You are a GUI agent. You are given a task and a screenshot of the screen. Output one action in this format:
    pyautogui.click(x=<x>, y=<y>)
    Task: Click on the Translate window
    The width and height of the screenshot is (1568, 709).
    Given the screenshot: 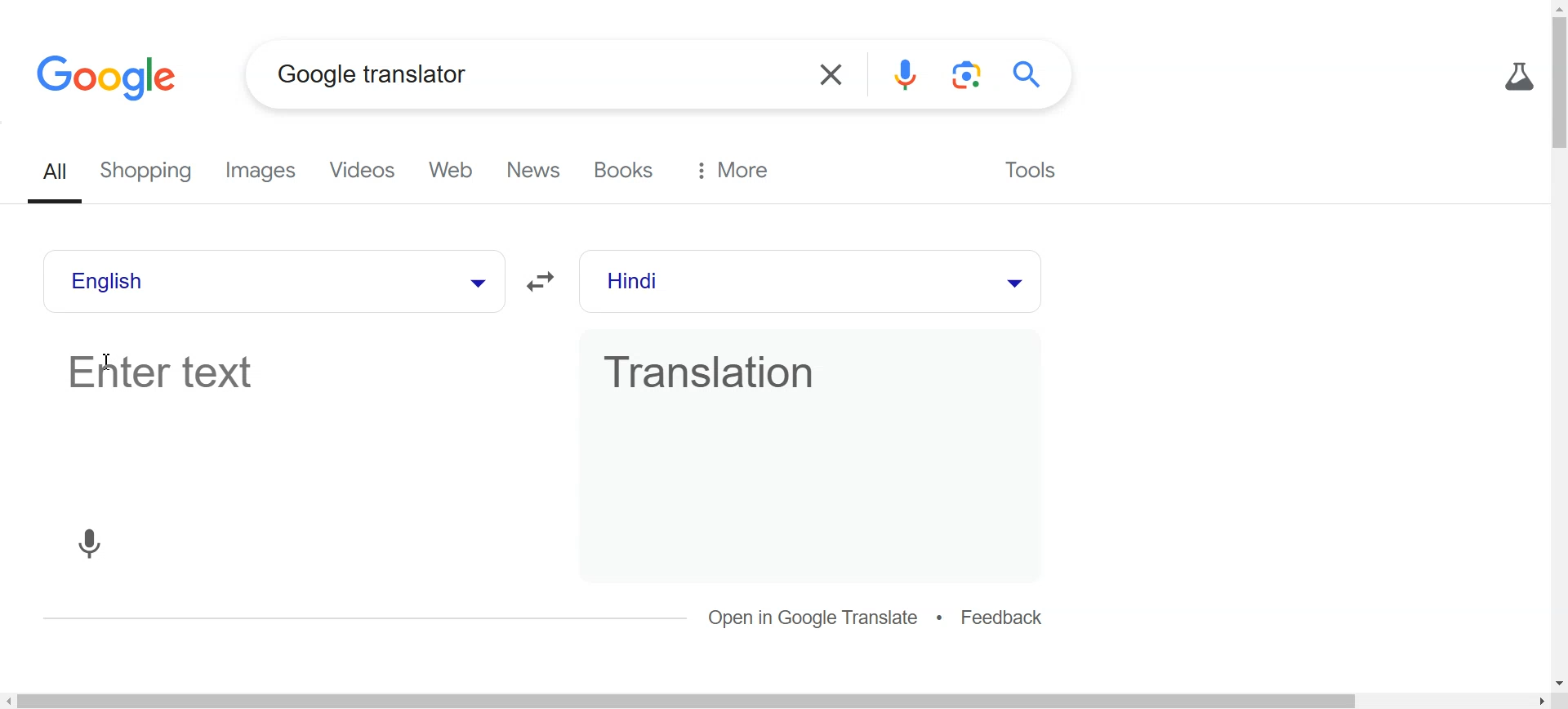 What is the action you would take?
    pyautogui.click(x=808, y=415)
    